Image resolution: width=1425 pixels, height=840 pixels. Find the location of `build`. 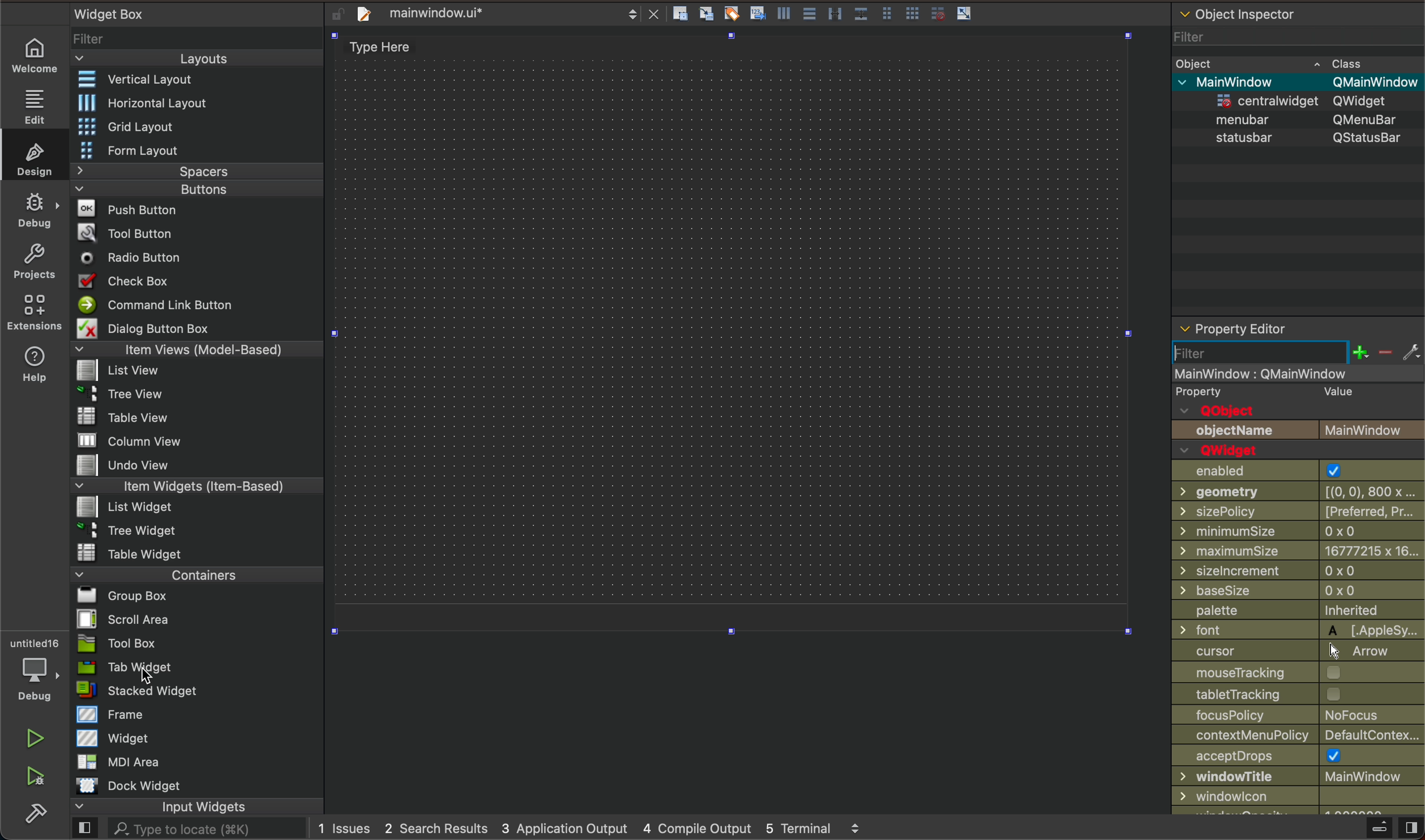

build is located at coordinates (41, 816).